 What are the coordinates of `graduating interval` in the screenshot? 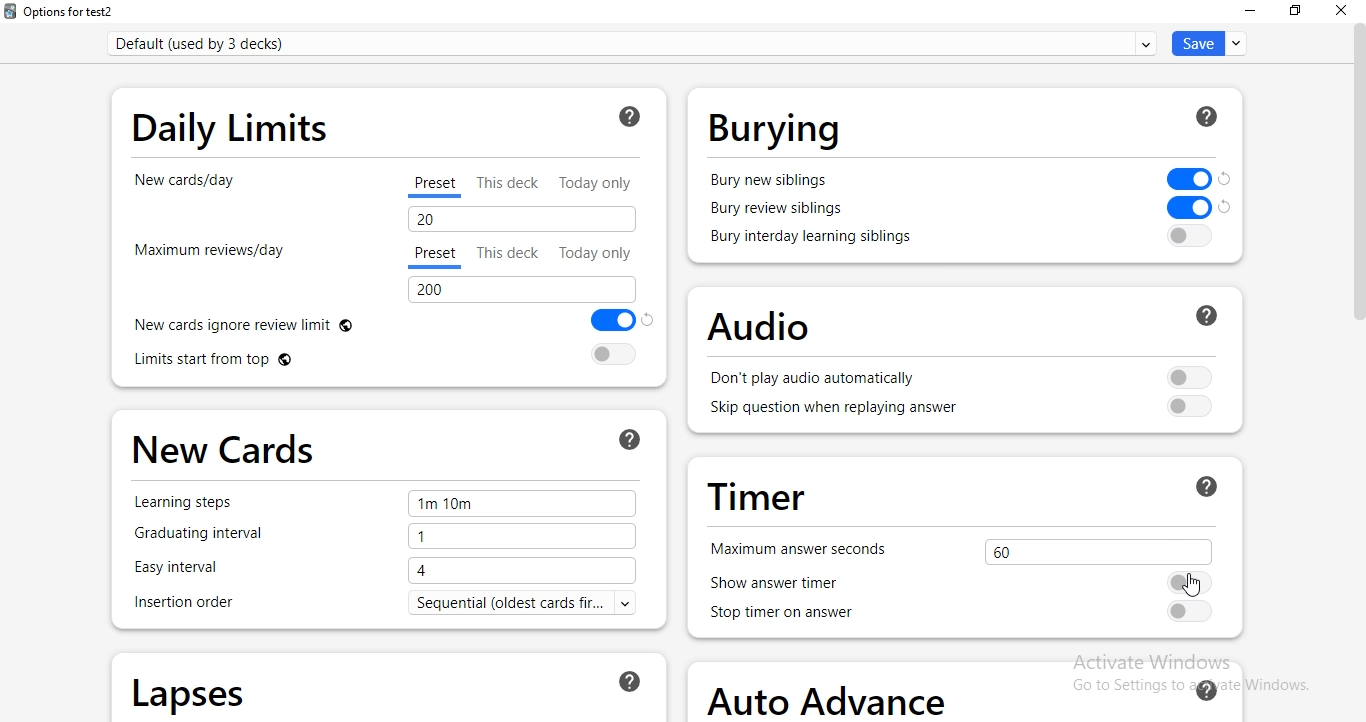 It's located at (198, 536).